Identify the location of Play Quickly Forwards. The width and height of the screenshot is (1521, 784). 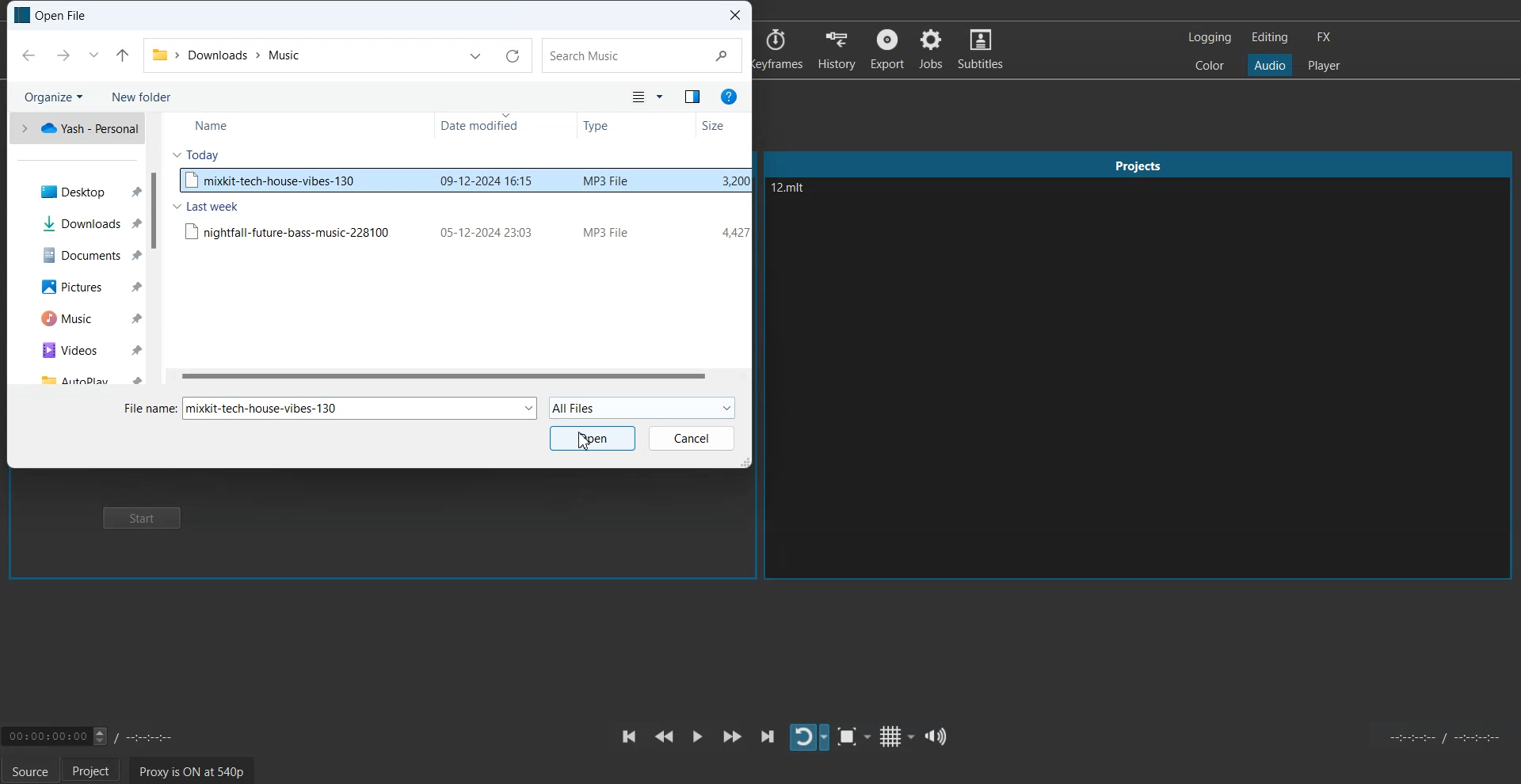
(732, 736).